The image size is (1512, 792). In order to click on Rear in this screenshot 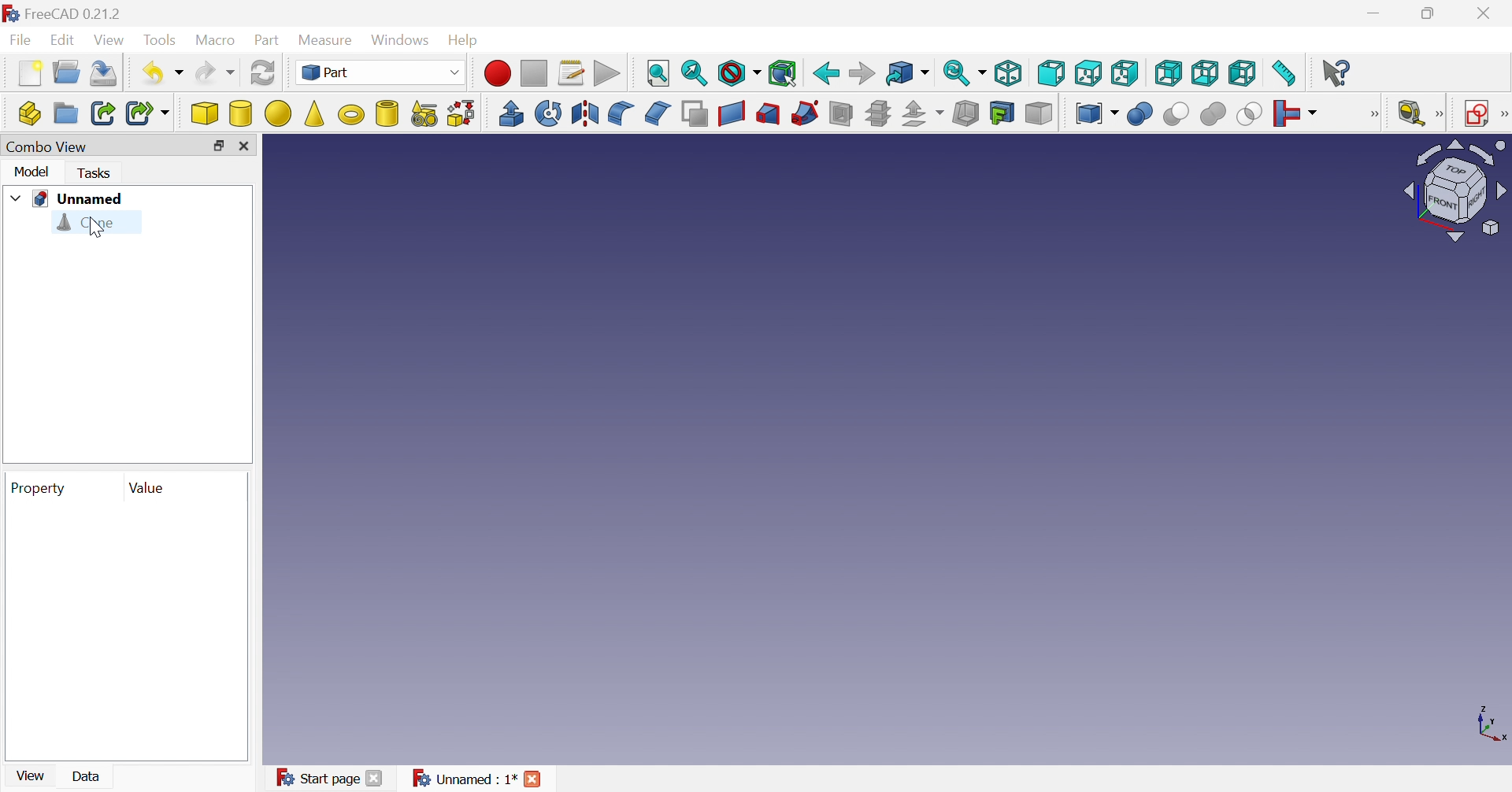, I will do `click(1169, 73)`.